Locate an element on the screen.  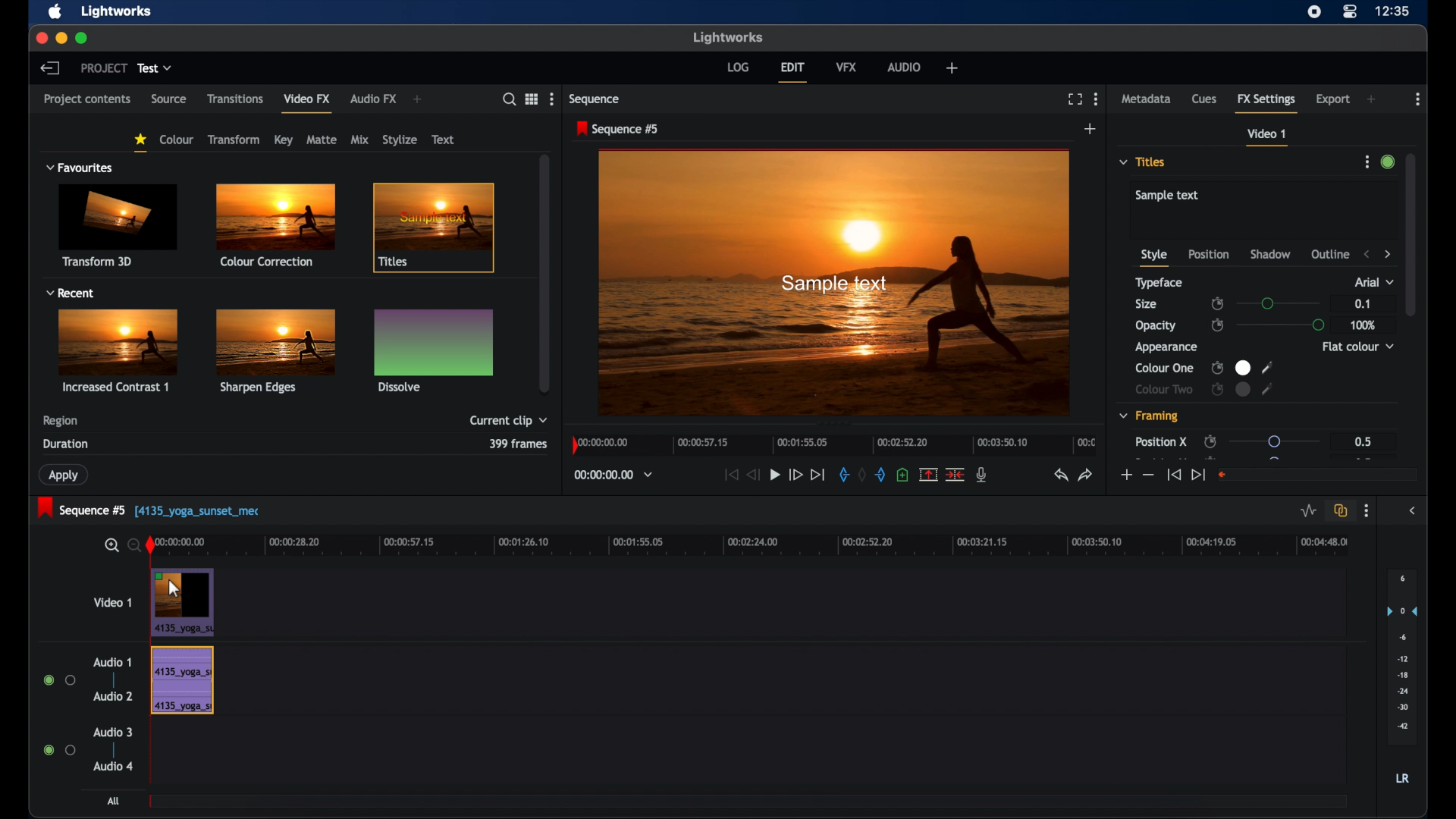
100% is located at coordinates (1365, 325).